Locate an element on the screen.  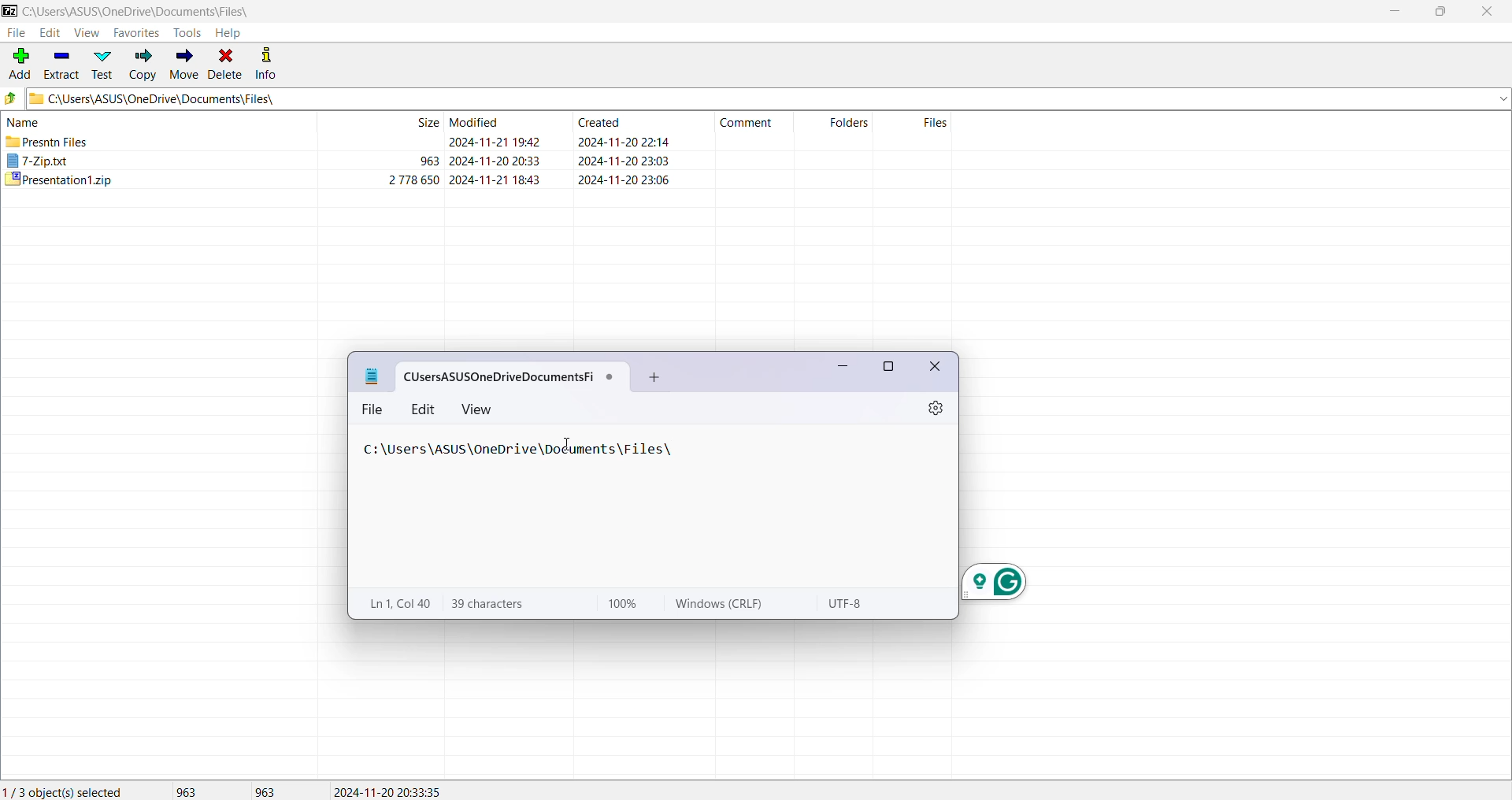
name is located at coordinates (24, 122).